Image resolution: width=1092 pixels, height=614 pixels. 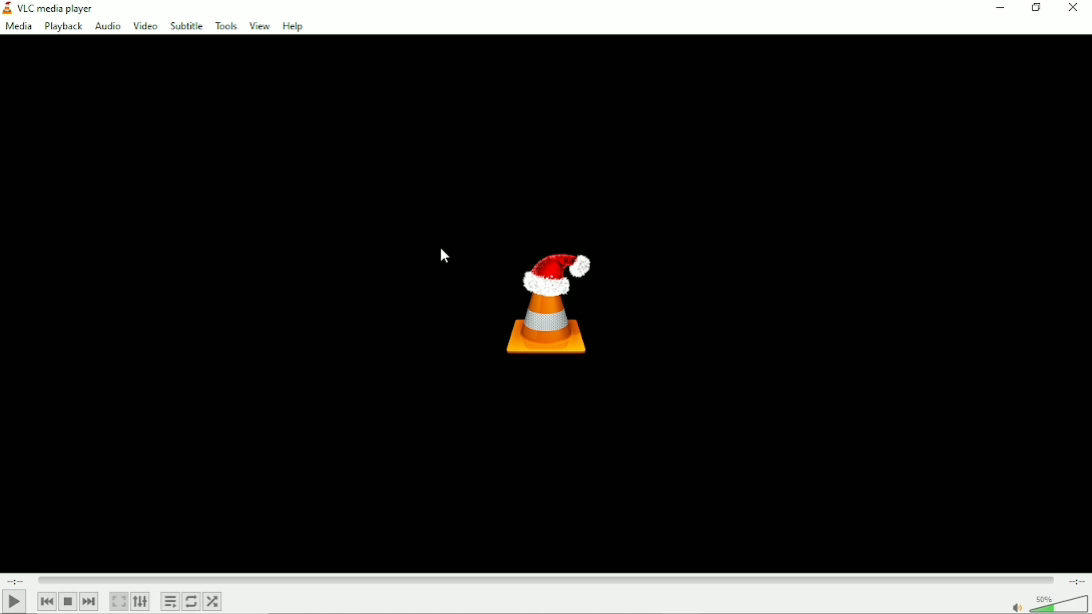 I want to click on Cursor, so click(x=445, y=258).